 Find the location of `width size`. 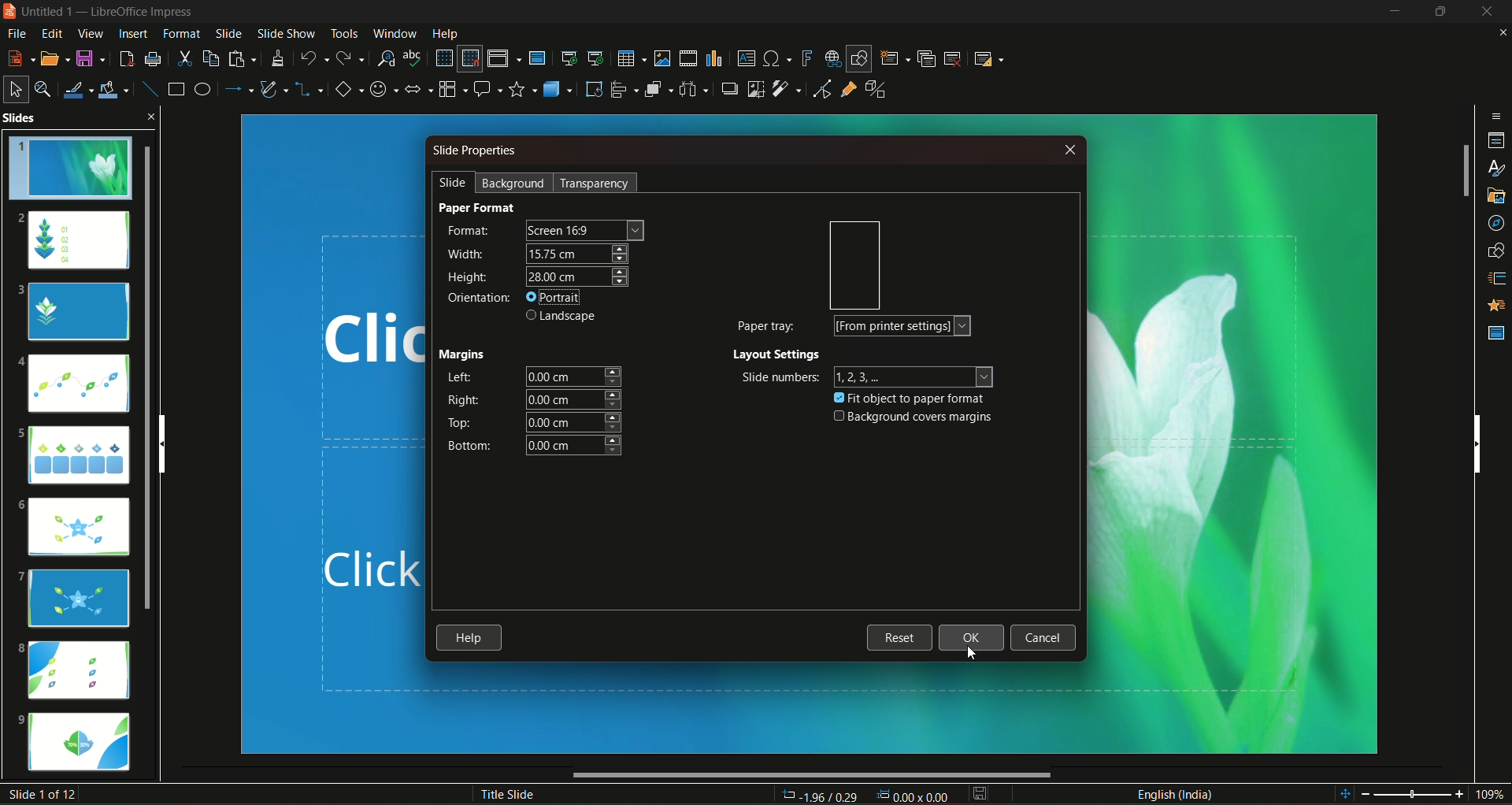

width size is located at coordinates (576, 253).